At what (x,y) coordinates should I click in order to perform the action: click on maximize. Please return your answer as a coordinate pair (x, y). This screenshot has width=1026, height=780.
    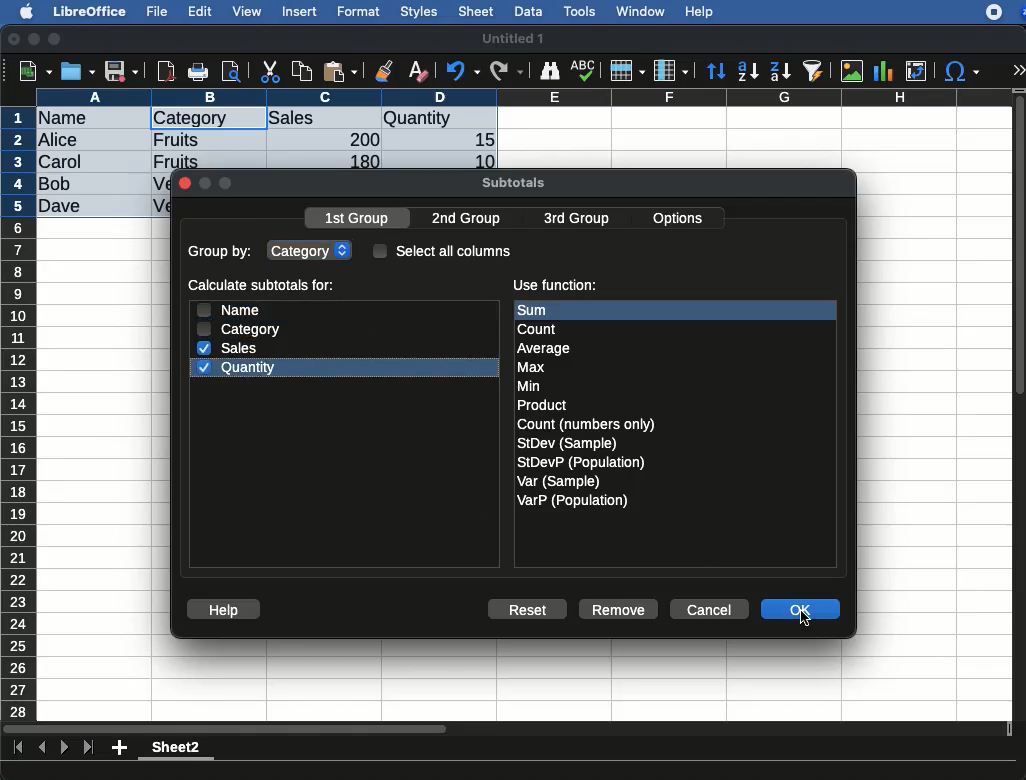
    Looking at the image, I should click on (57, 40).